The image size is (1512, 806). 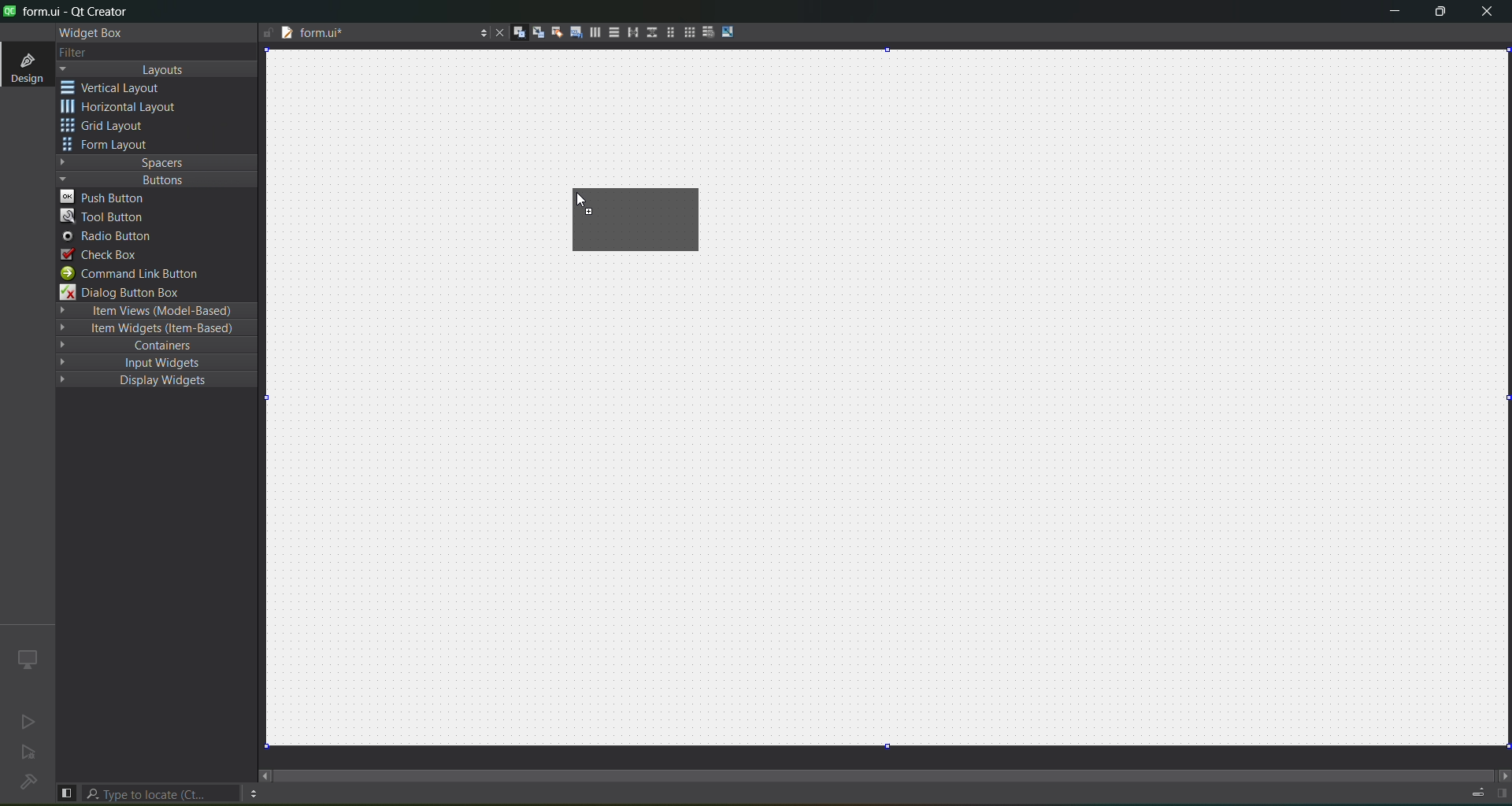 I want to click on minimize, so click(x=1389, y=13).